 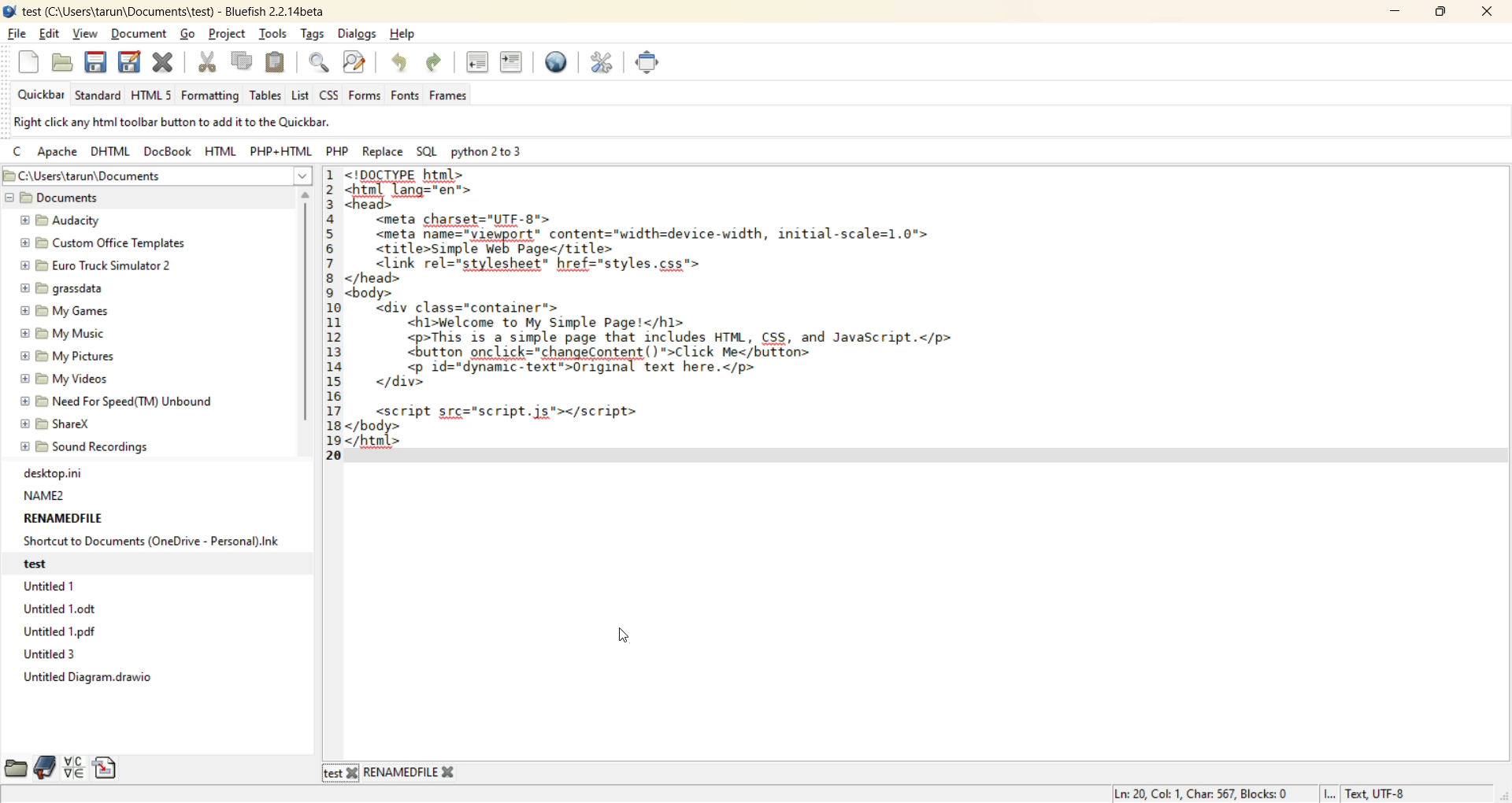 What do you see at coordinates (105, 768) in the screenshot?
I see `snippets` at bounding box center [105, 768].